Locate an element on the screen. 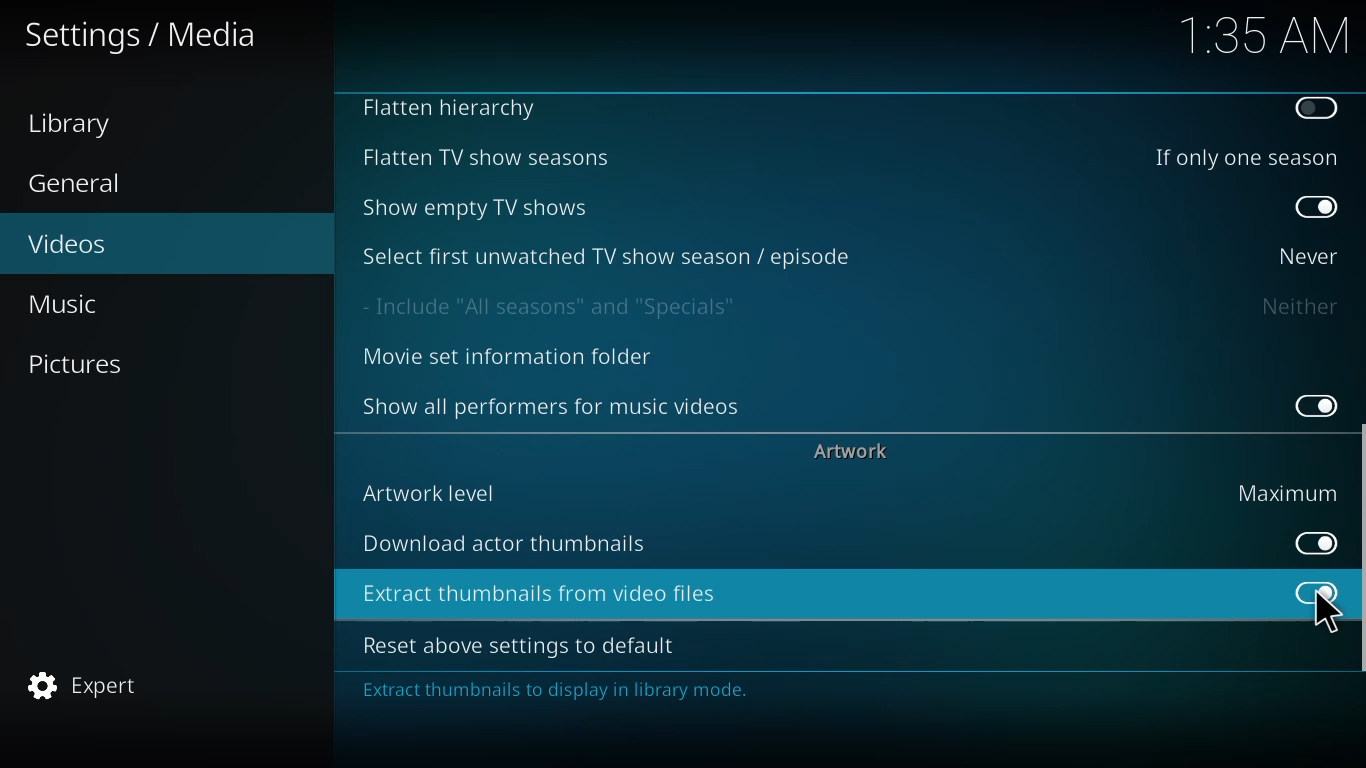  artwork is located at coordinates (854, 450).